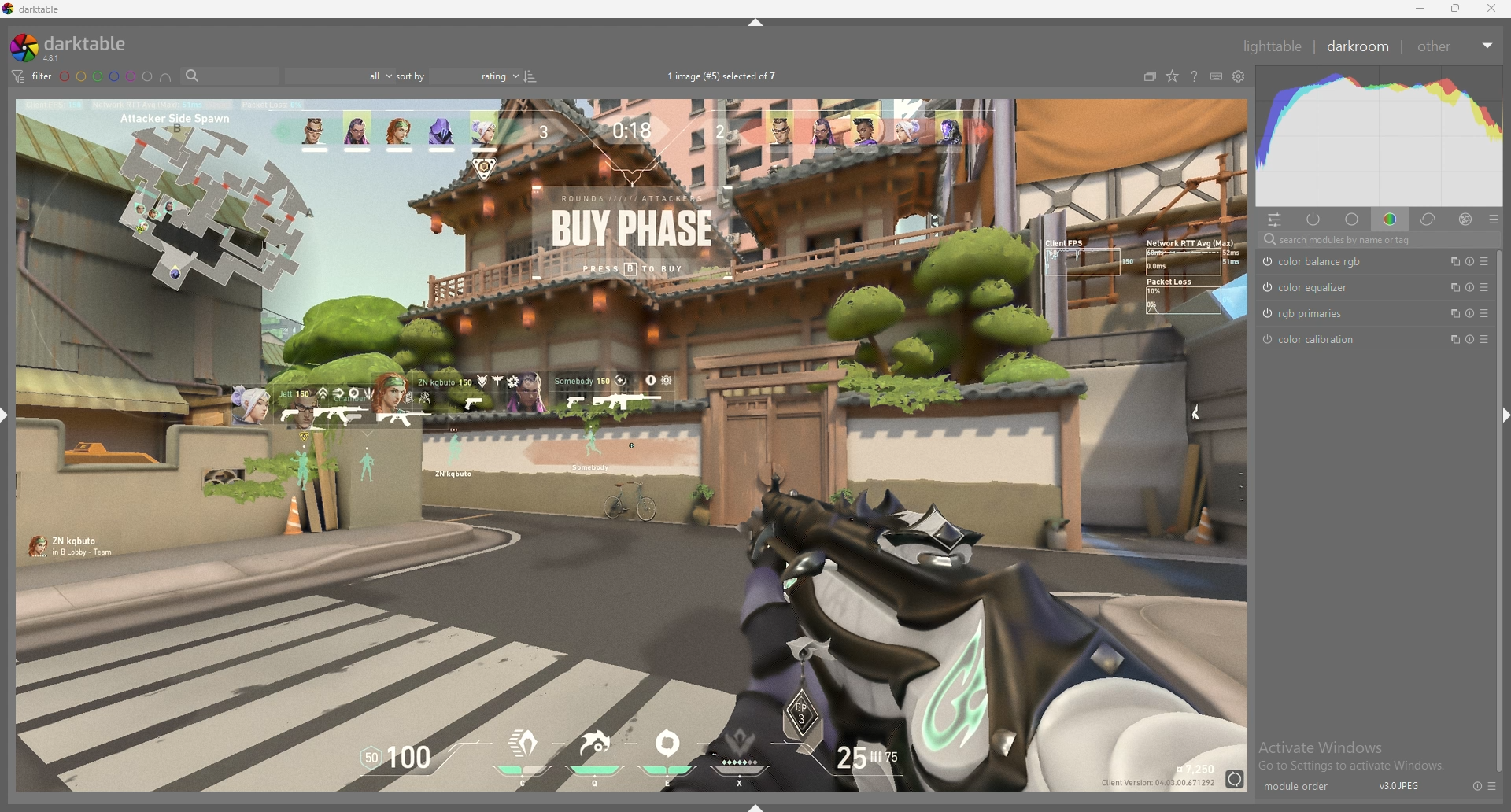  I want to click on color calibration, so click(1330, 338).